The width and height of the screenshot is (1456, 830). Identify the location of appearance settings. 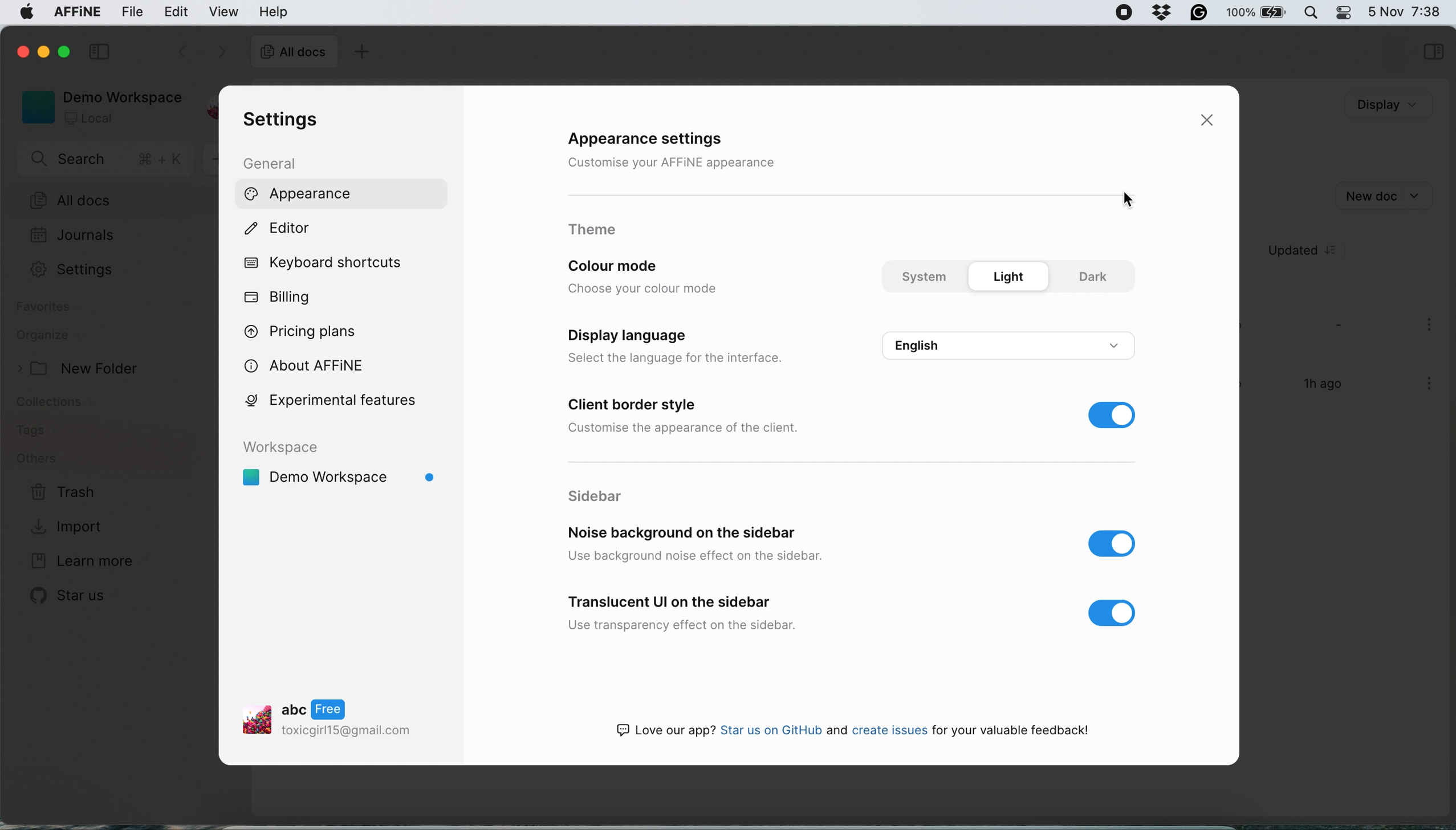
(649, 137).